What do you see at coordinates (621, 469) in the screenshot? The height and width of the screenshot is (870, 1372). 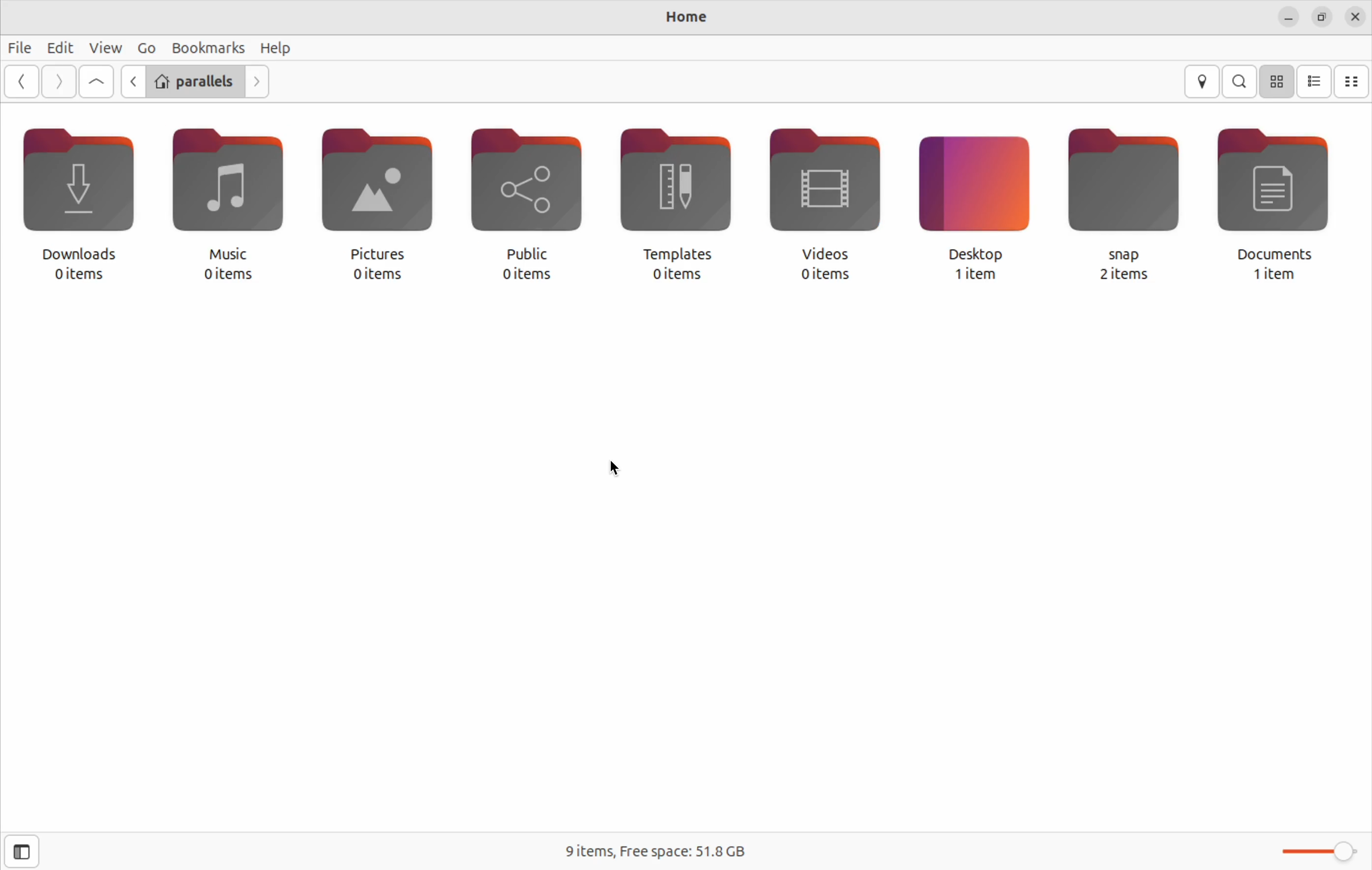 I see `cursor` at bounding box center [621, 469].